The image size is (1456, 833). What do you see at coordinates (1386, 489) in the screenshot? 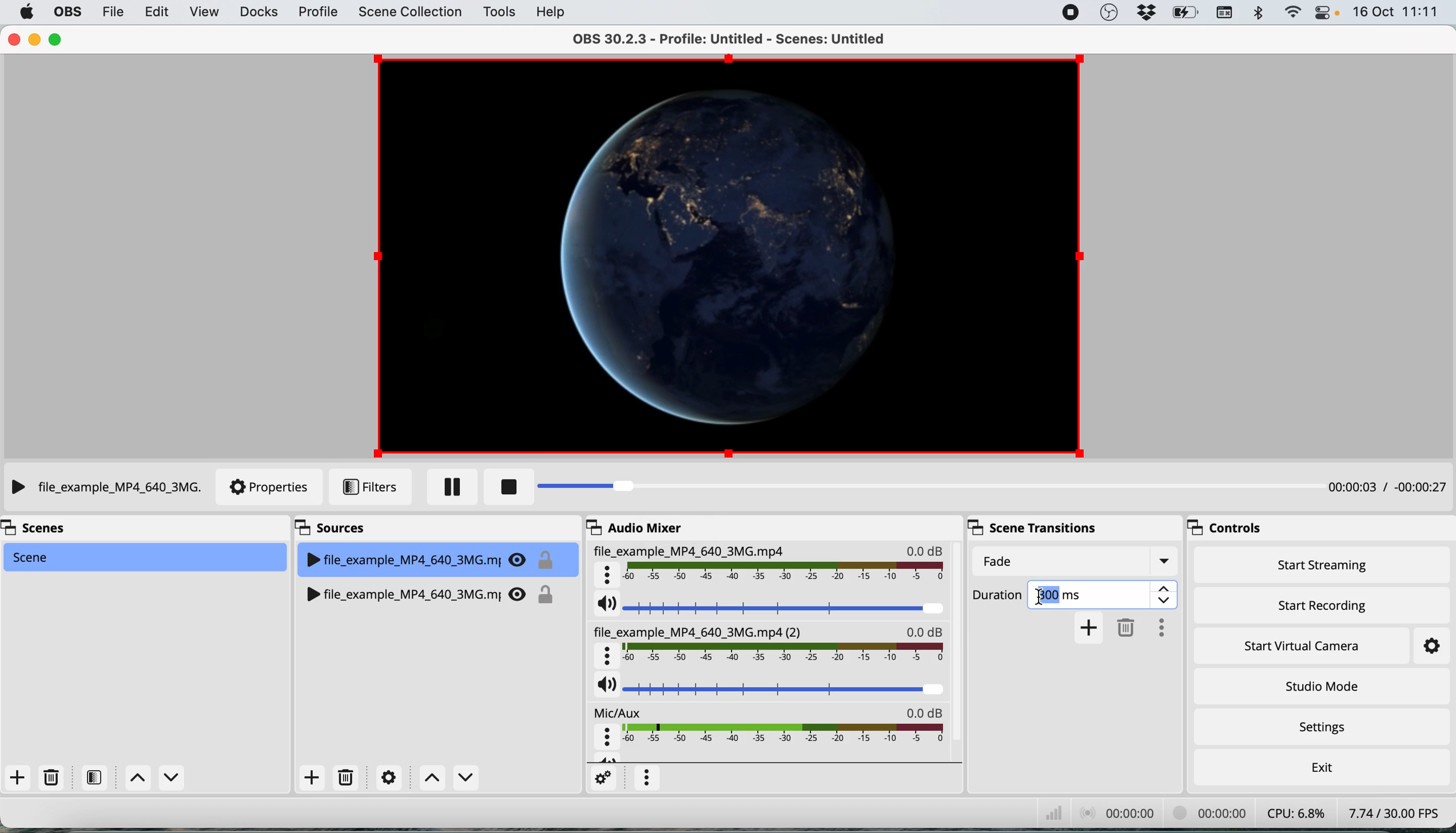
I see `timestamp` at bounding box center [1386, 489].